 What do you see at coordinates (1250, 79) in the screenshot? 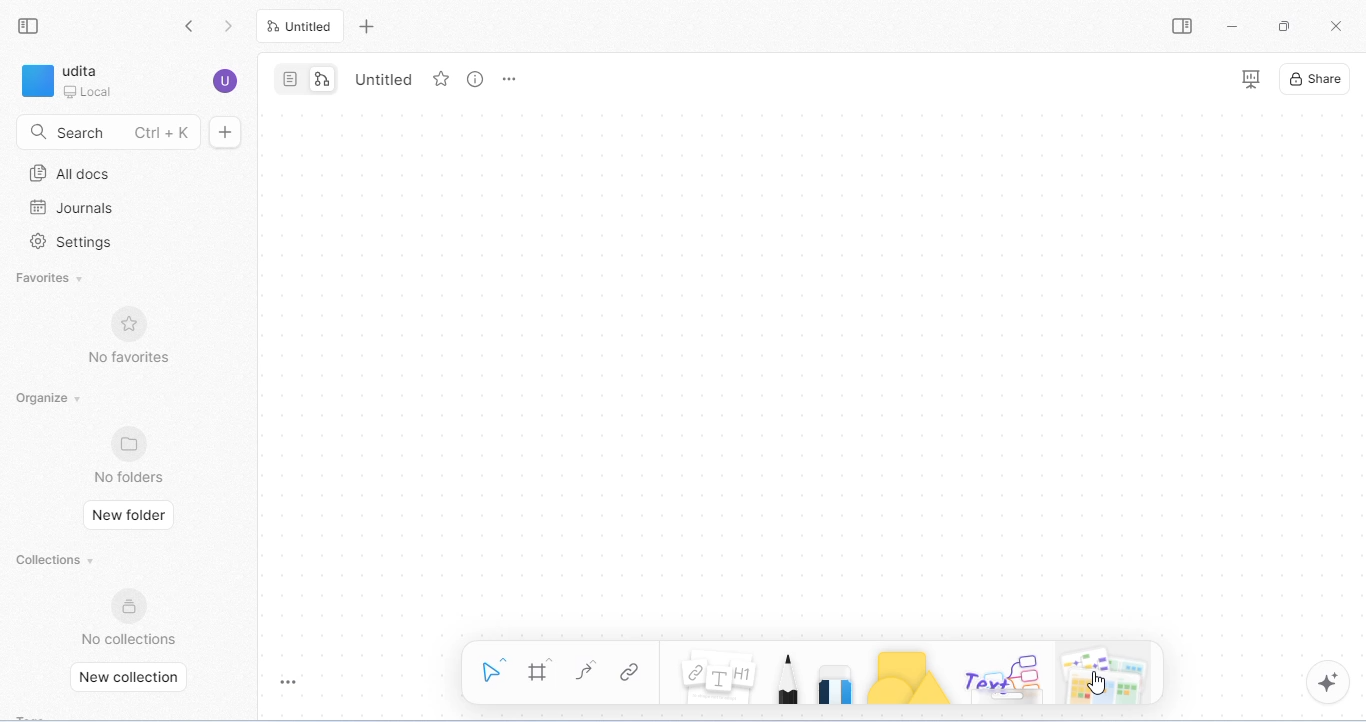
I see `presentation` at bounding box center [1250, 79].